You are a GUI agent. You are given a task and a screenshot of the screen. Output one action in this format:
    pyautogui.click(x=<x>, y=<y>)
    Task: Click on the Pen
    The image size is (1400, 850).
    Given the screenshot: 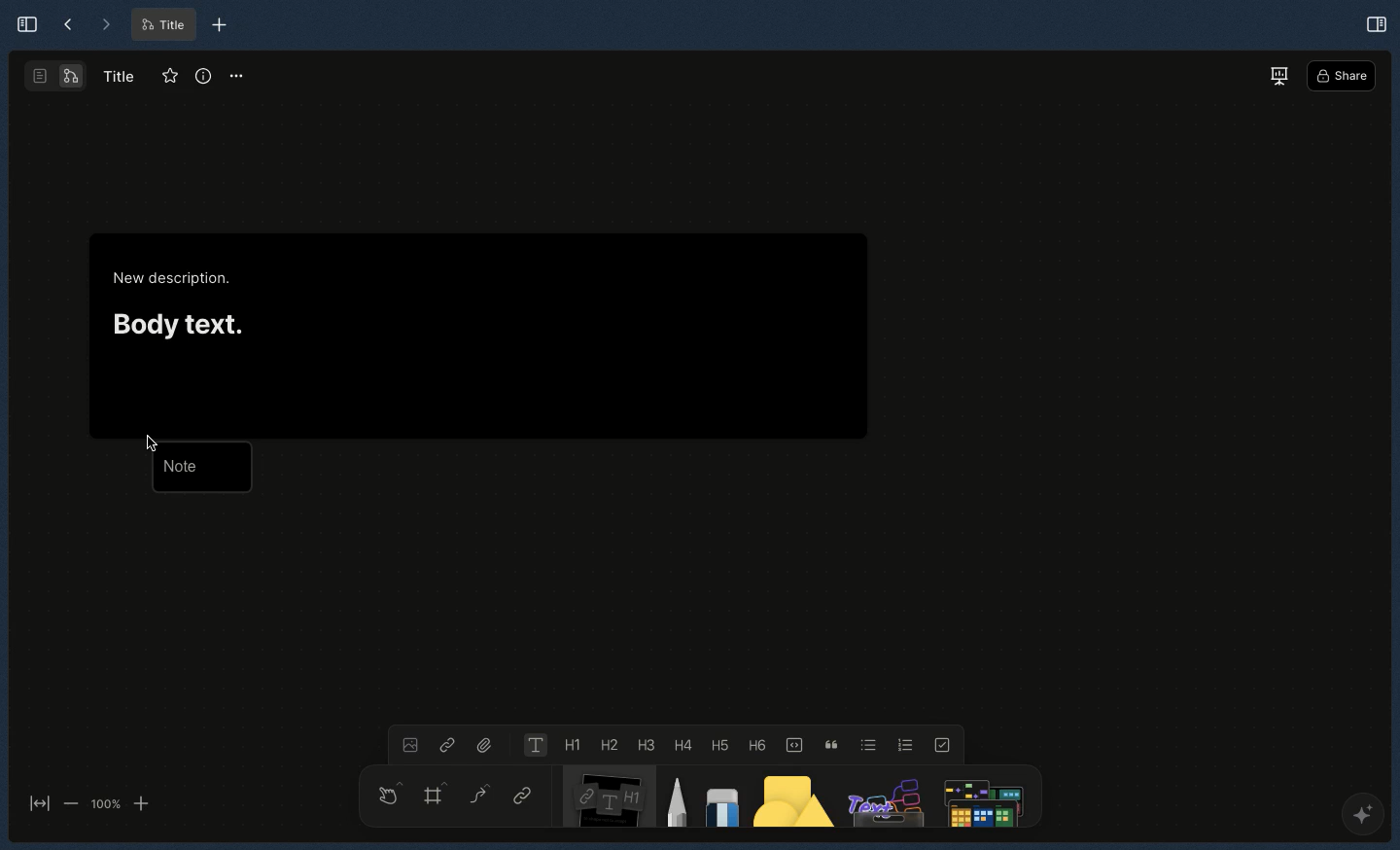 What is the action you would take?
    pyautogui.click(x=676, y=799)
    